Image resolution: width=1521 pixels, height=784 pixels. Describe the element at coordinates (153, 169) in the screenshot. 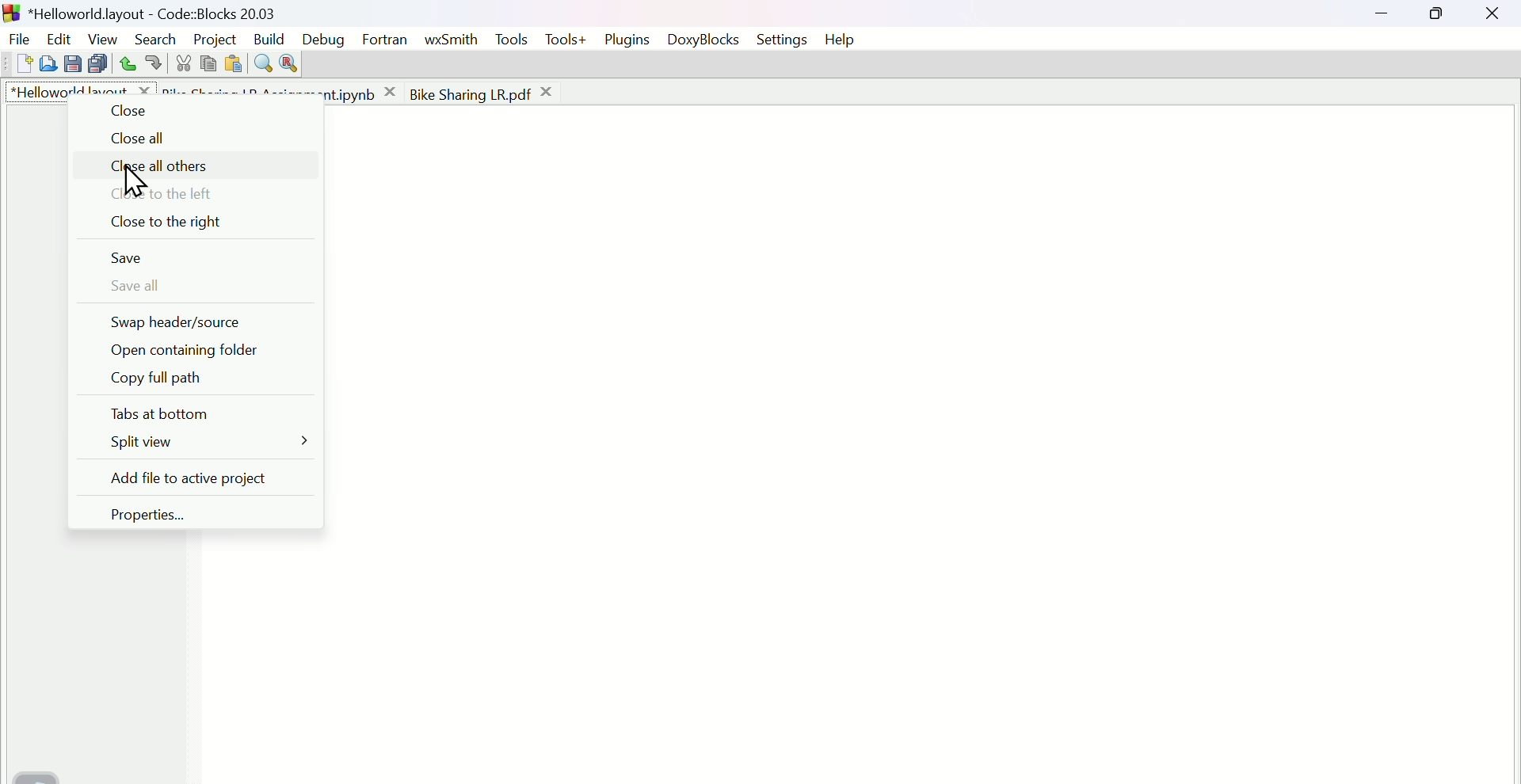

I see `Close all others` at that location.